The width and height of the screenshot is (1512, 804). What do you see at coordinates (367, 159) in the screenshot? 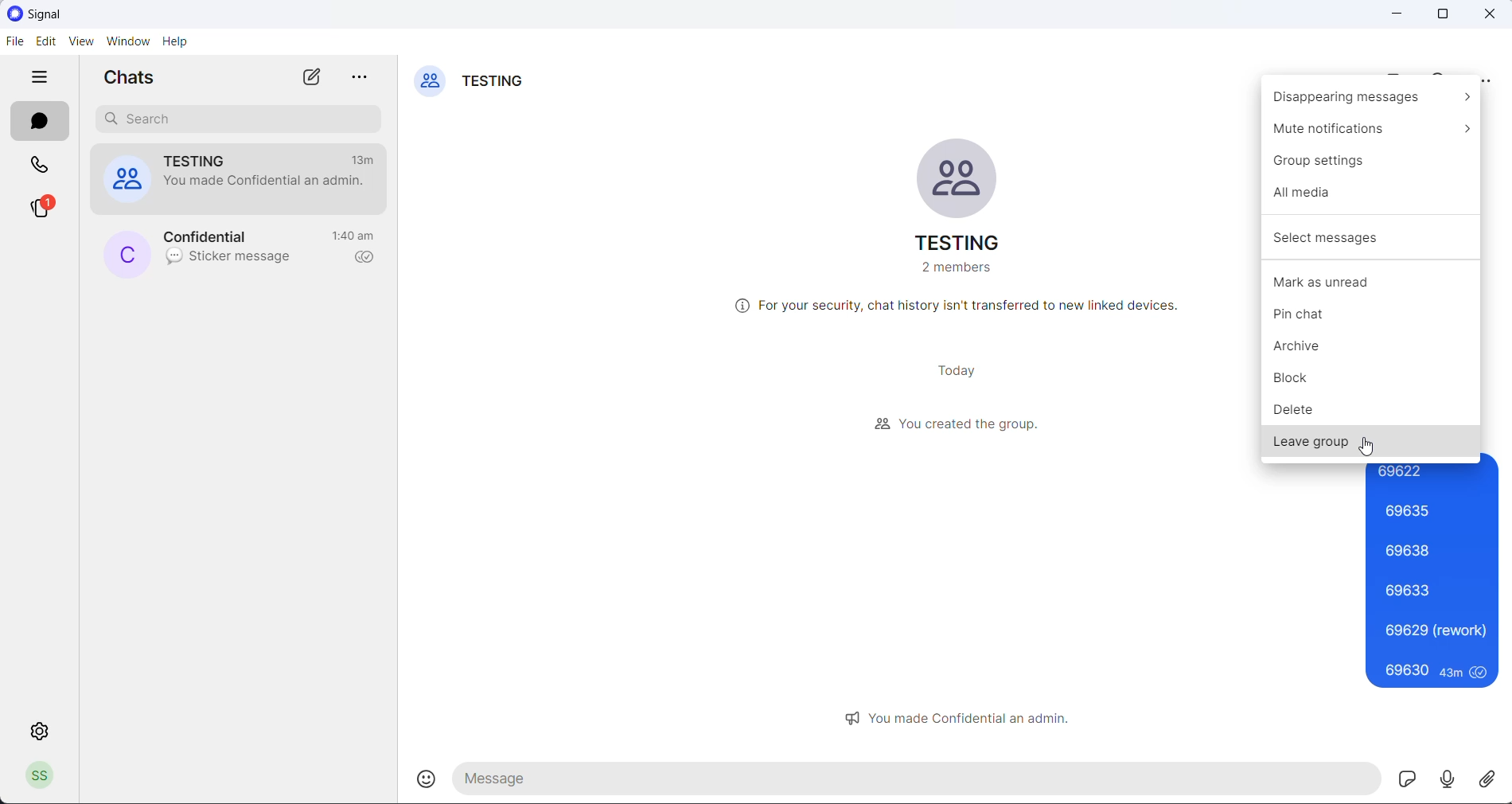
I see `last active time` at bounding box center [367, 159].